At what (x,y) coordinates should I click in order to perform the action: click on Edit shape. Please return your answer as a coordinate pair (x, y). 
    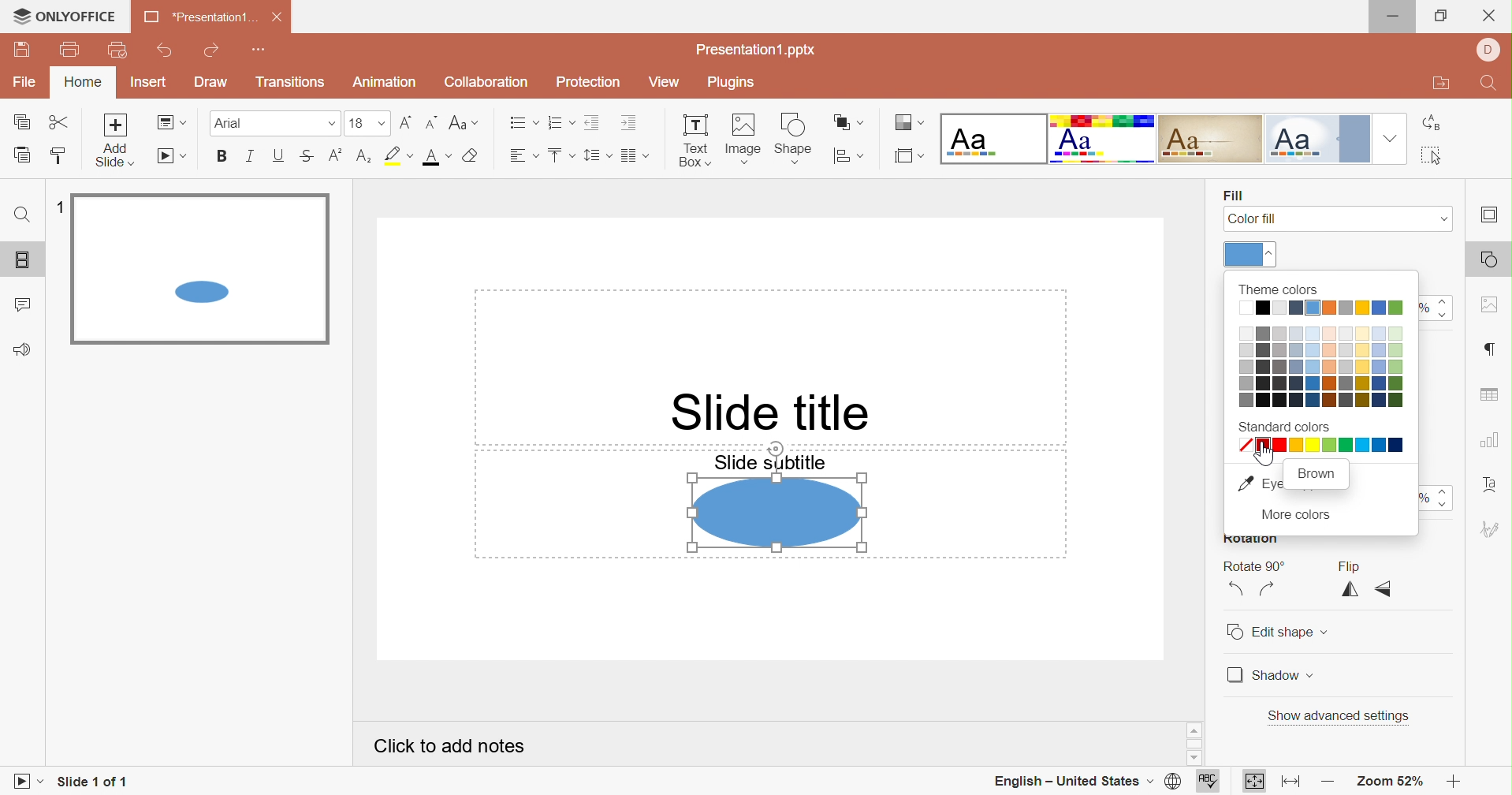
    Looking at the image, I should click on (1276, 633).